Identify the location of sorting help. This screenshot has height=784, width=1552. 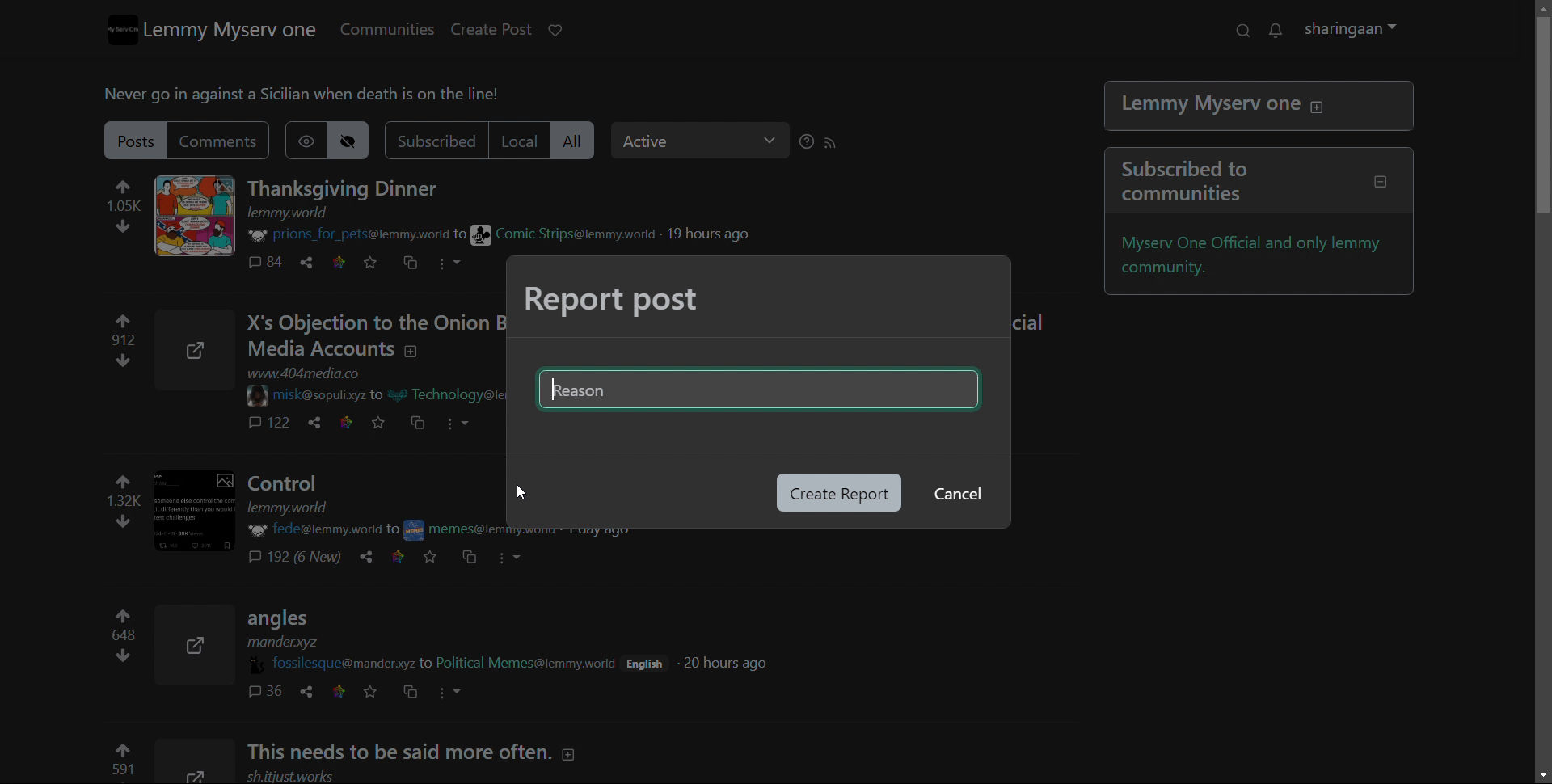
(815, 142).